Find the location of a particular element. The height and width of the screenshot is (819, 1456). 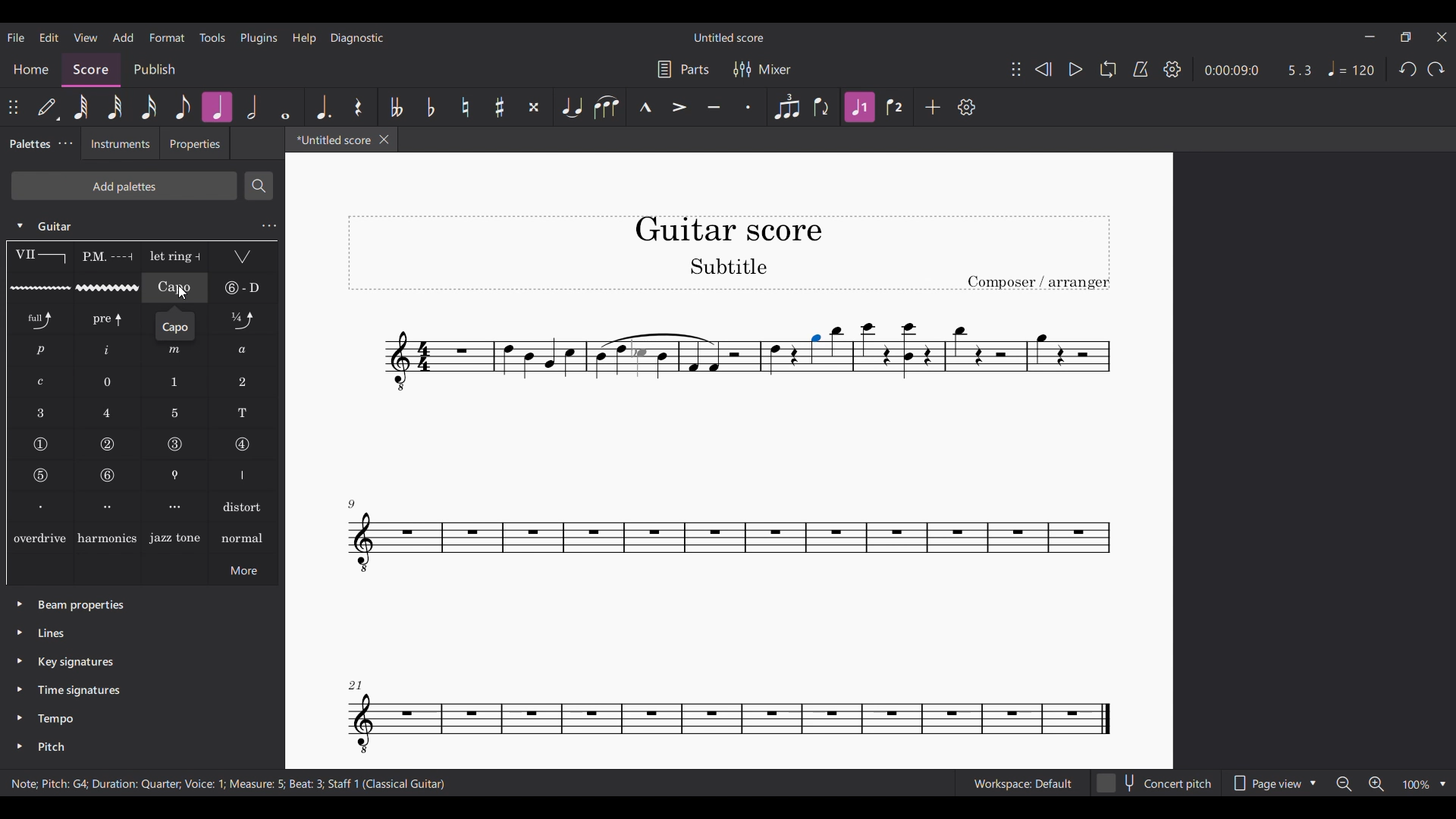

String number 3 is located at coordinates (175, 444).